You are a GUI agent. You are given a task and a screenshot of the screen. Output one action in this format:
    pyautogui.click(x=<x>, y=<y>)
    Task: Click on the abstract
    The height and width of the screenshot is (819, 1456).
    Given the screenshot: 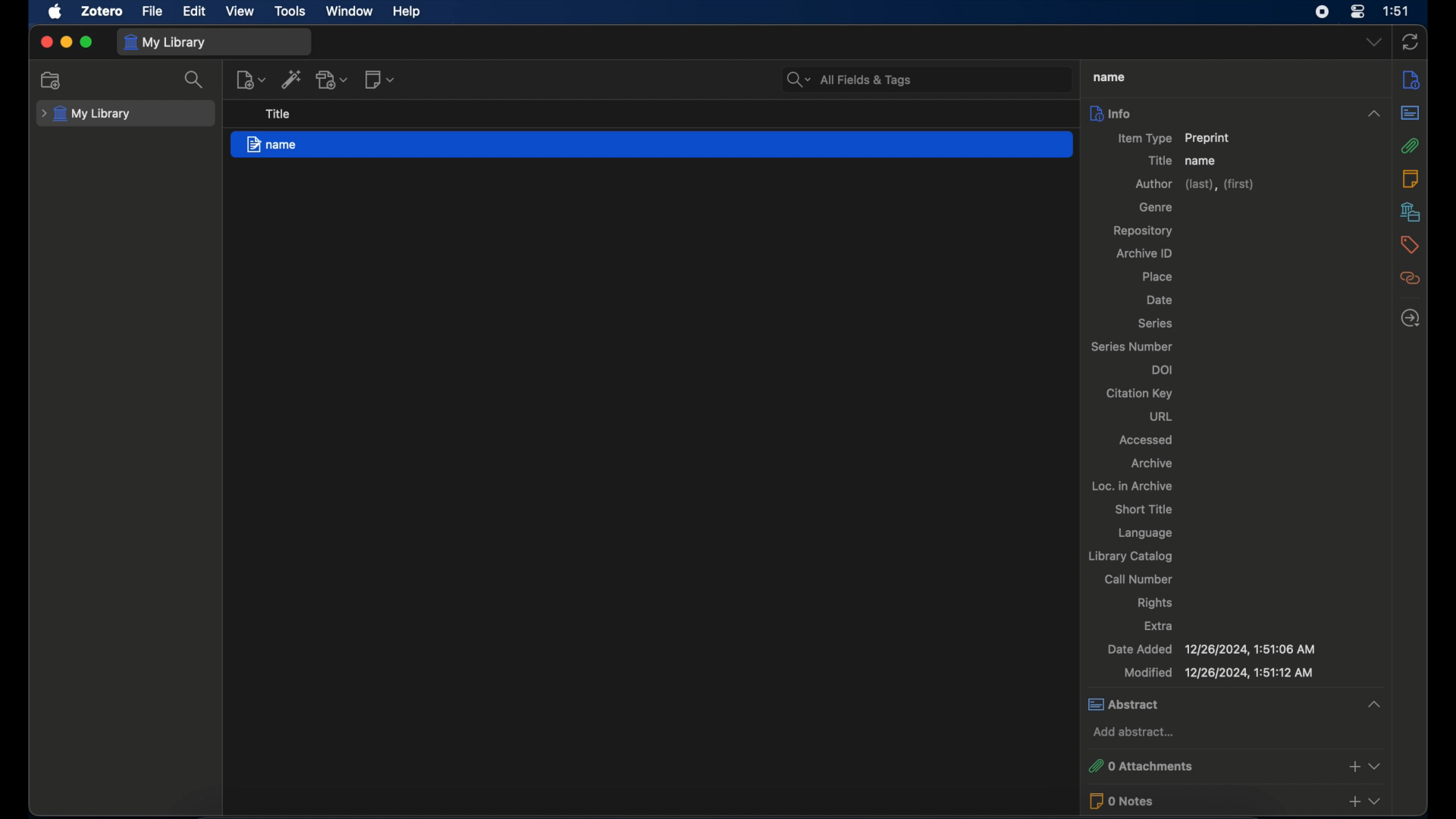 What is the action you would take?
    pyautogui.click(x=1410, y=112)
    